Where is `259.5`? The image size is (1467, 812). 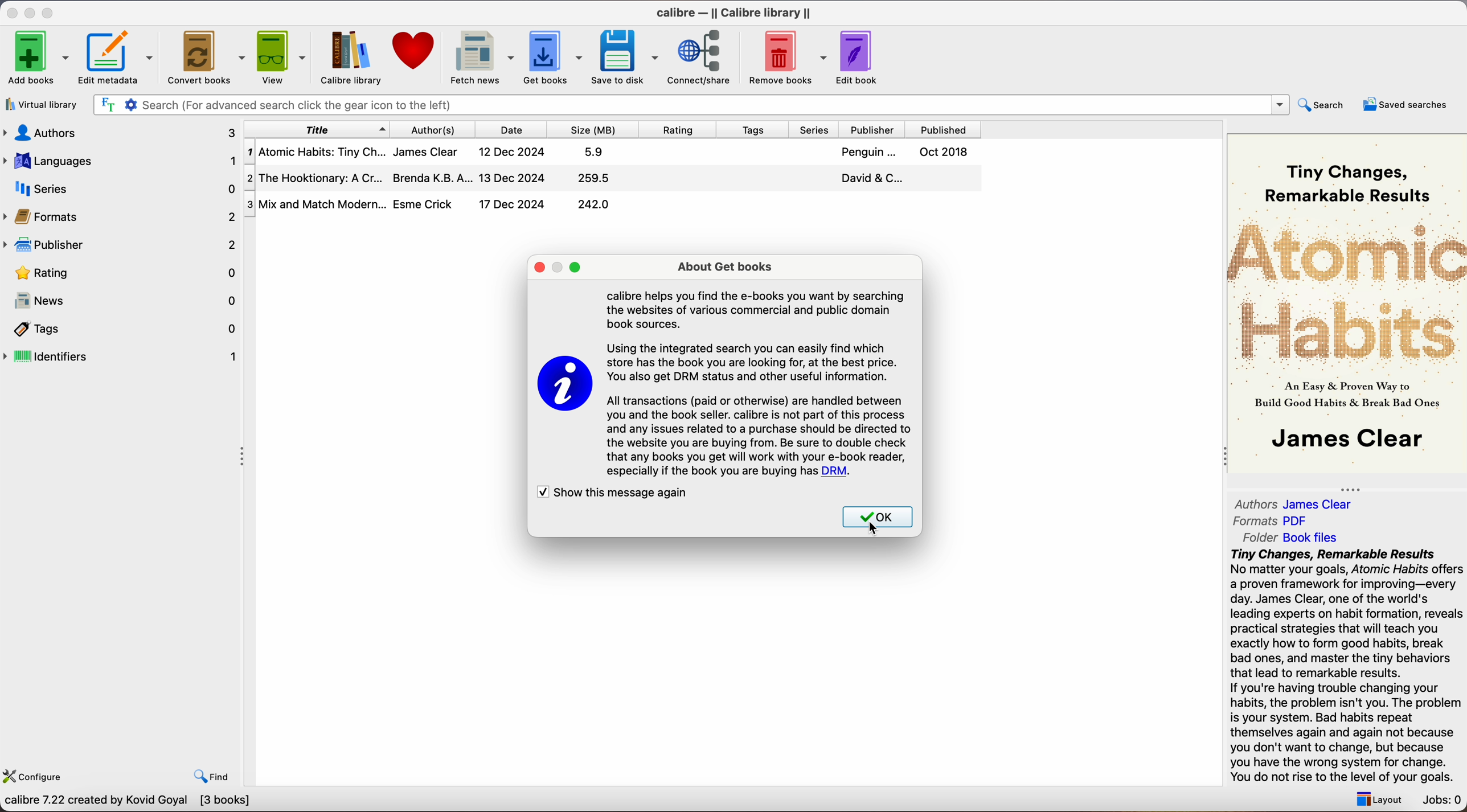 259.5 is located at coordinates (596, 179).